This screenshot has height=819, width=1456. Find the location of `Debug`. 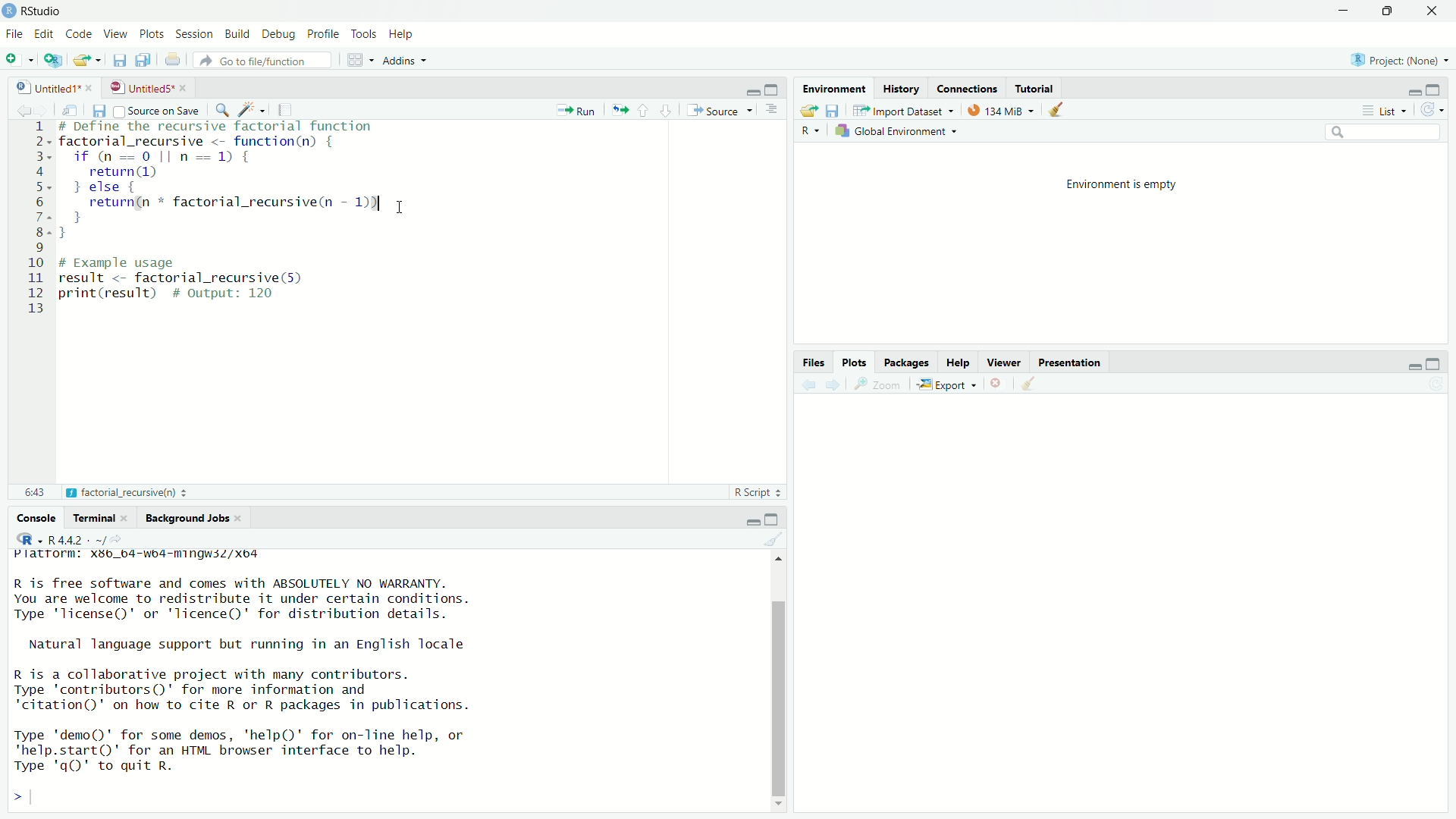

Debug is located at coordinates (277, 33).